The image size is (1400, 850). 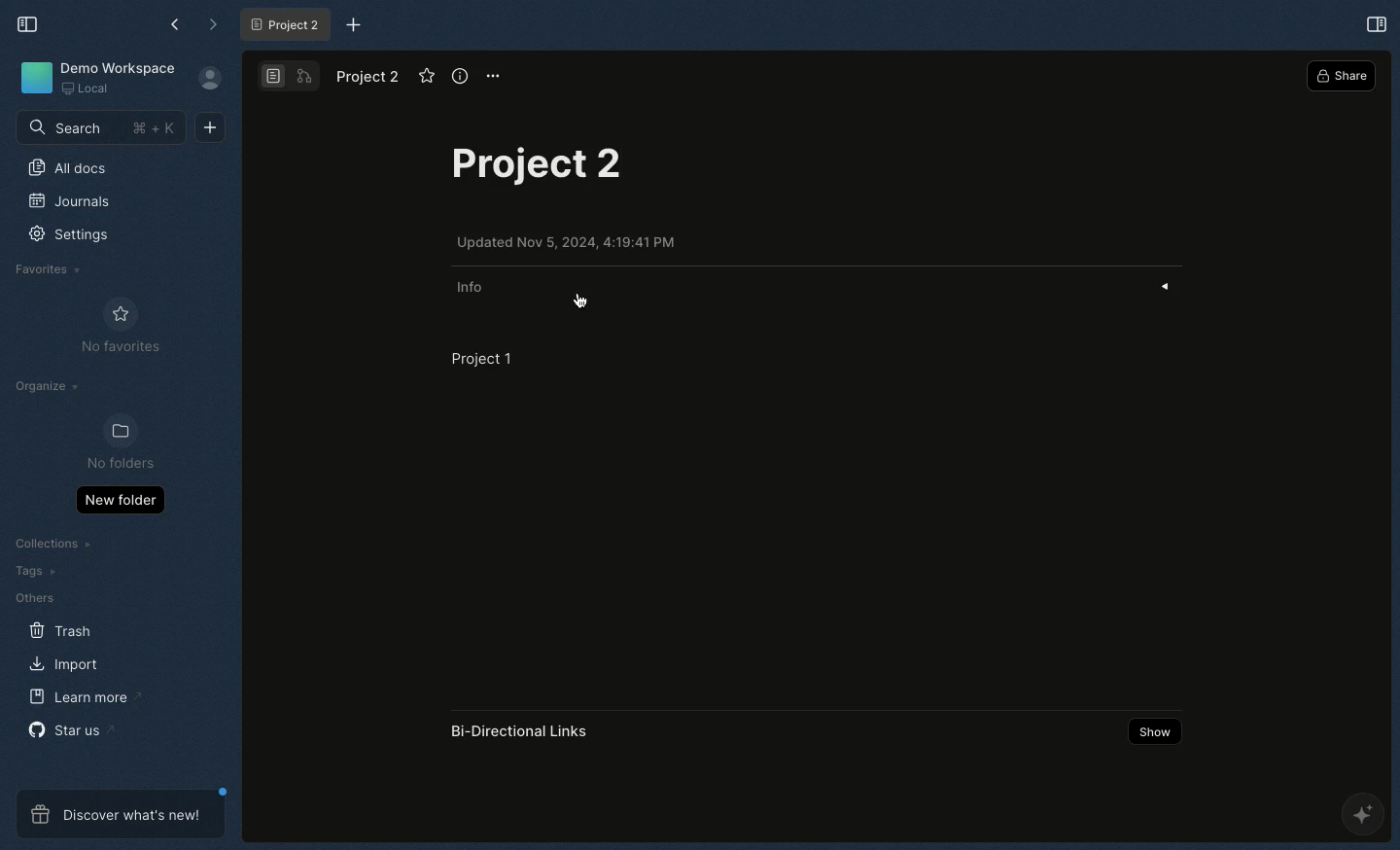 What do you see at coordinates (1172, 285) in the screenshot?
I see `Hide` at bounding box center [1172, 285].